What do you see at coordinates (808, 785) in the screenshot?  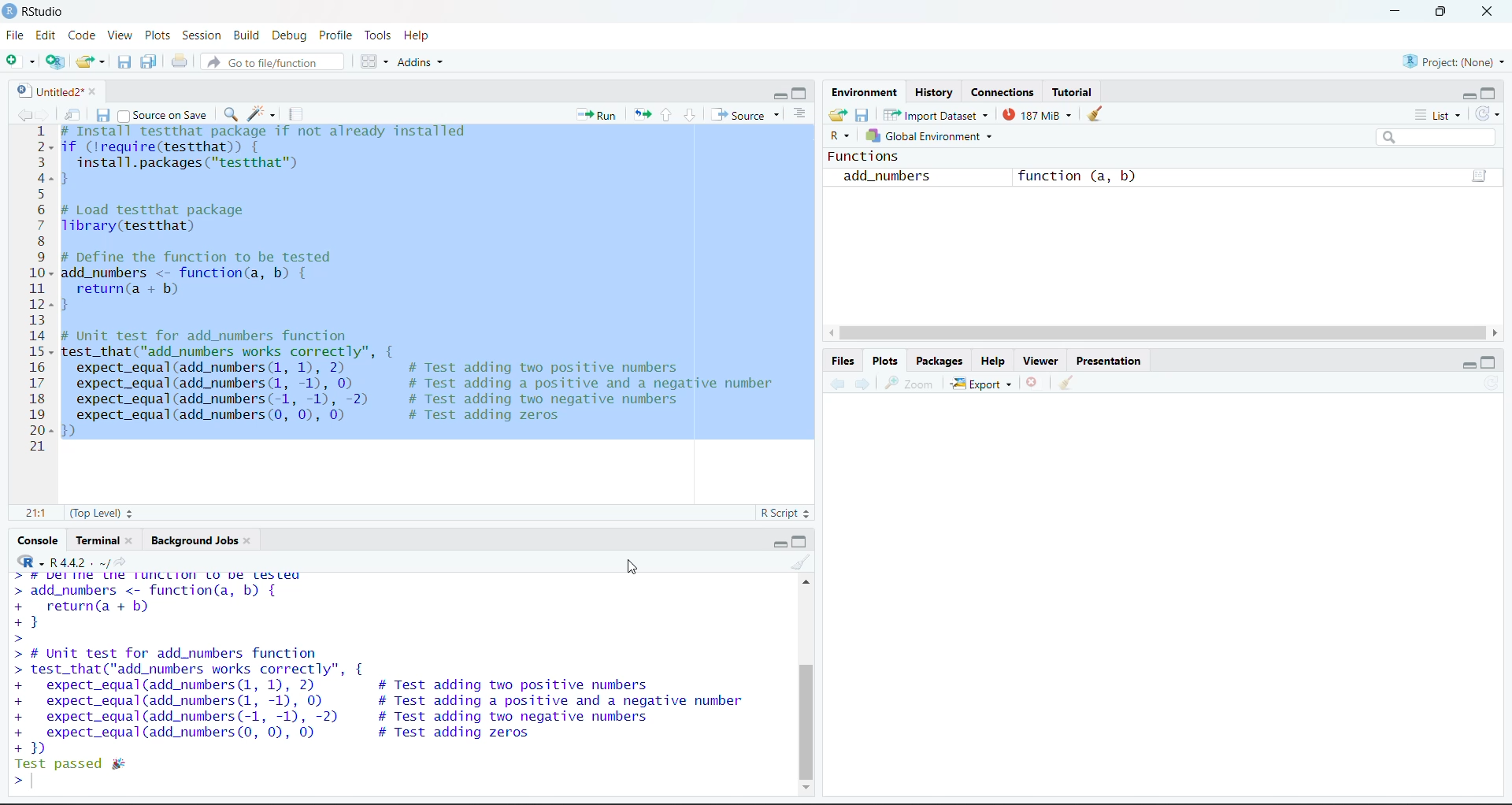 I see `scroll down` at bounding box center [808, 785].